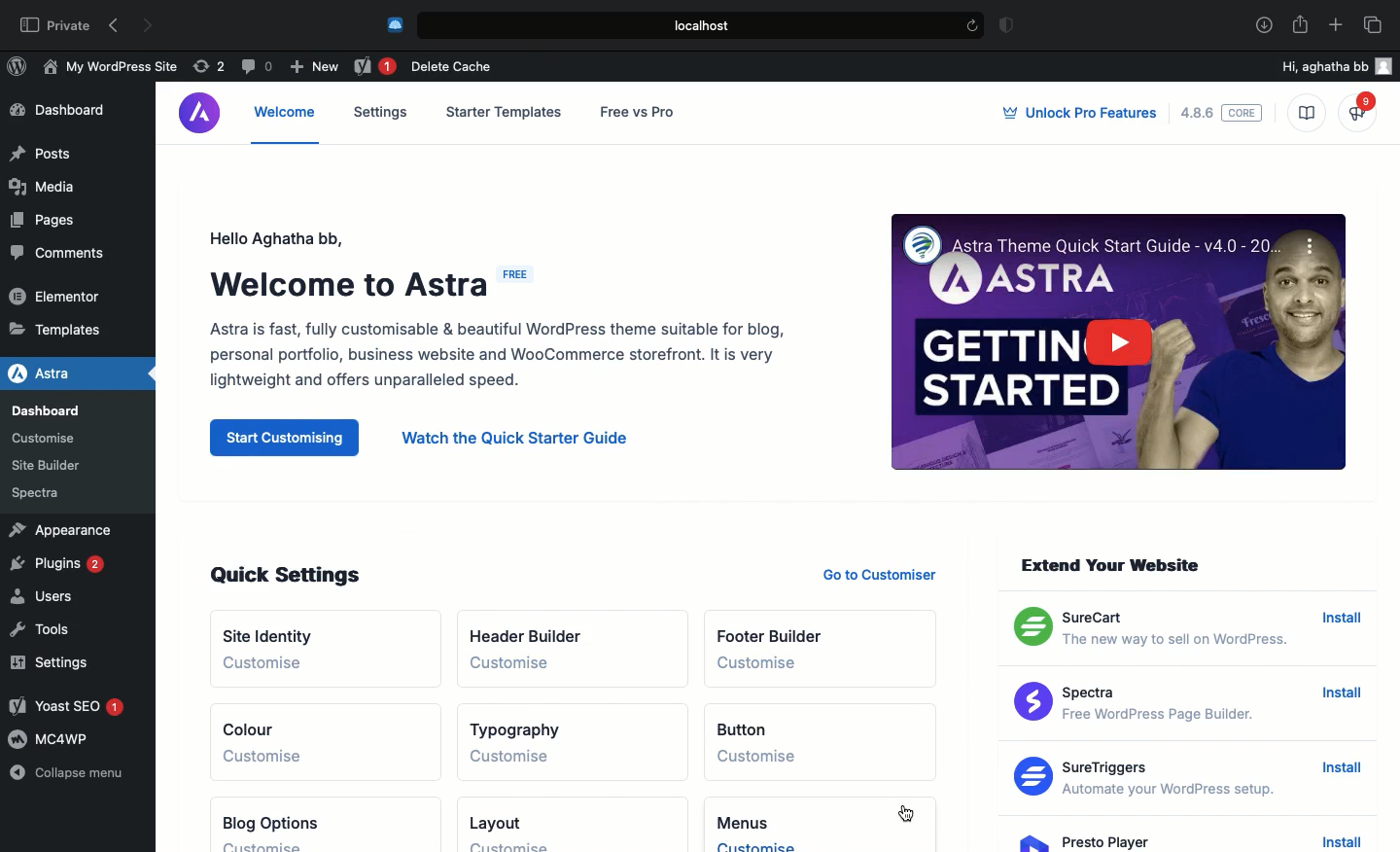  Describe the element at coordinates (45, 182) in the screenshot. I see `Media` at that location.